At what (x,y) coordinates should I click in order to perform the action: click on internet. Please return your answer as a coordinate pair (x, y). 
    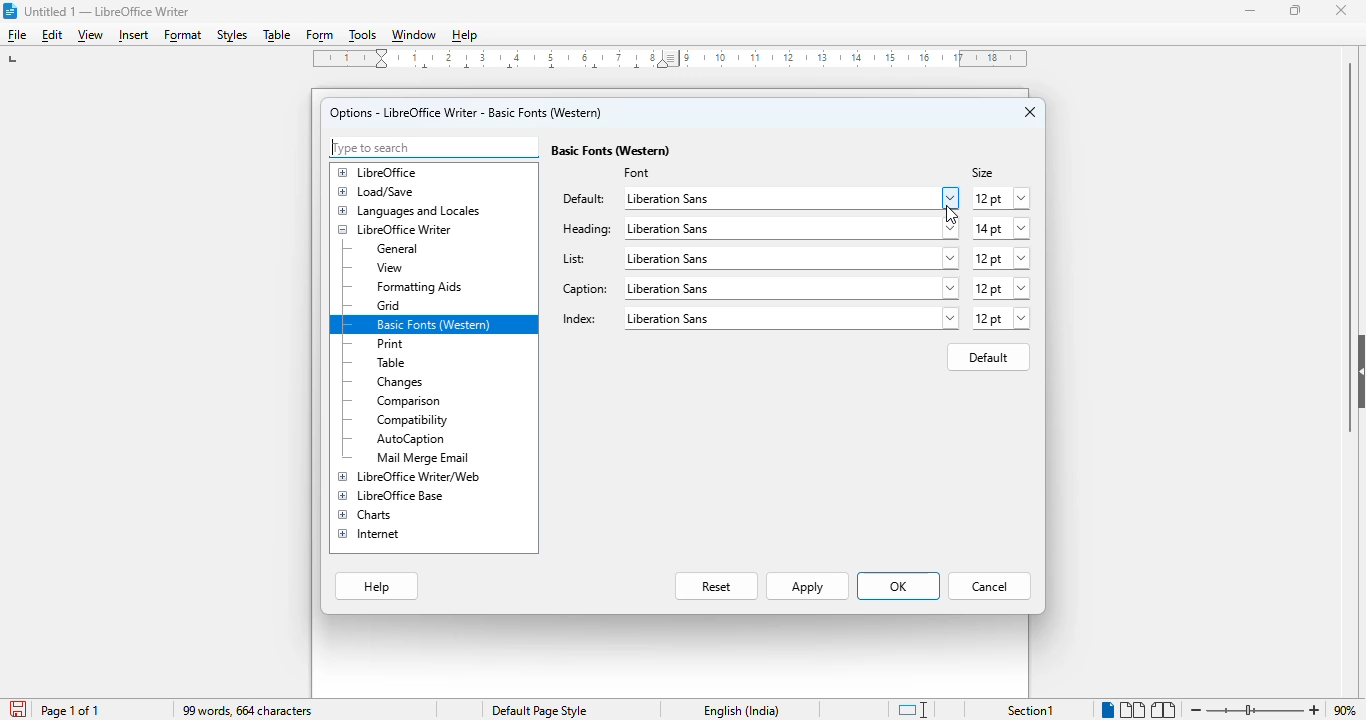
    Looking at the image, I should click on (368, 533).